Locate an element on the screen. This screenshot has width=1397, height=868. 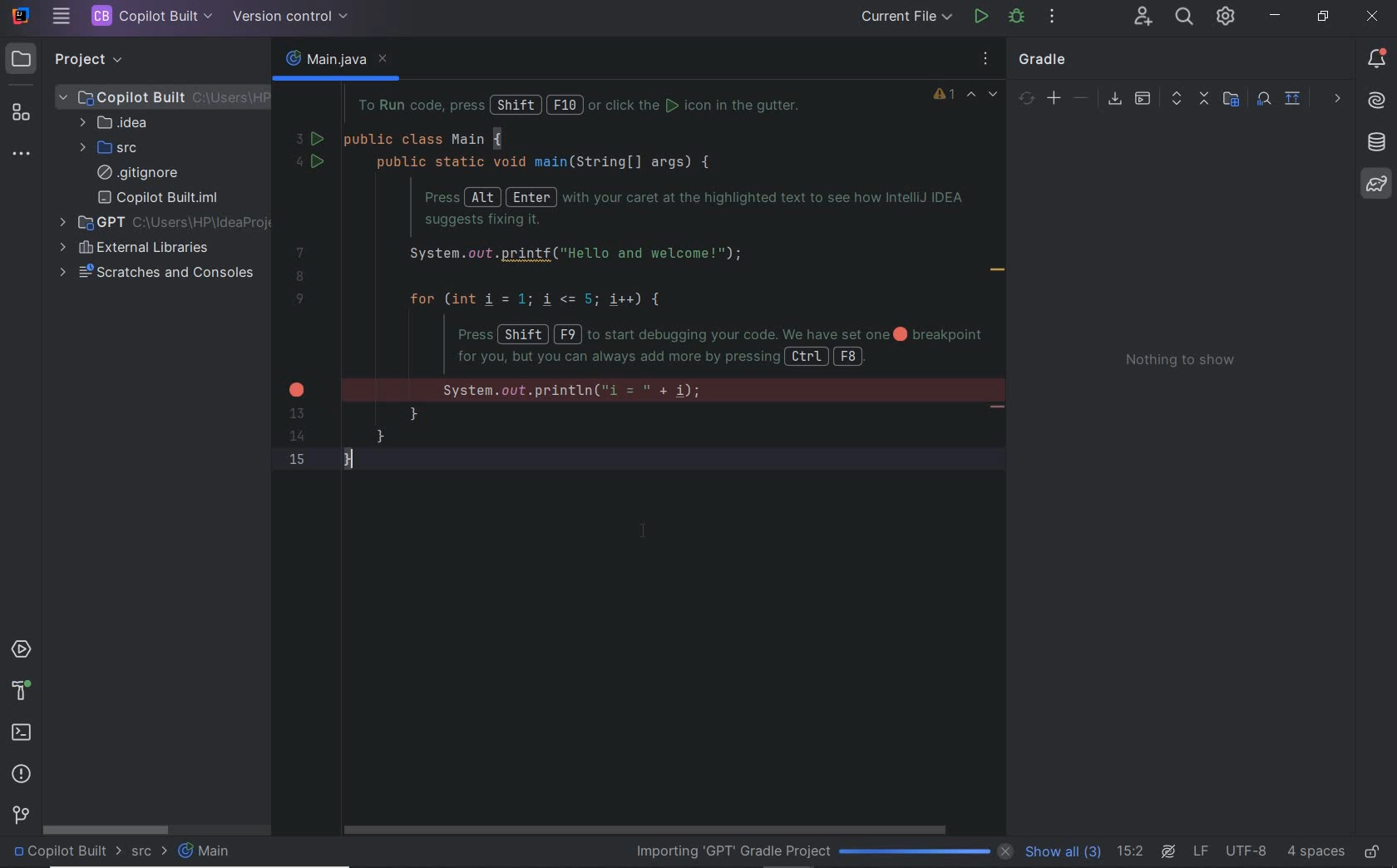
CODE WITH ME is located at coordinates (1143, 18).